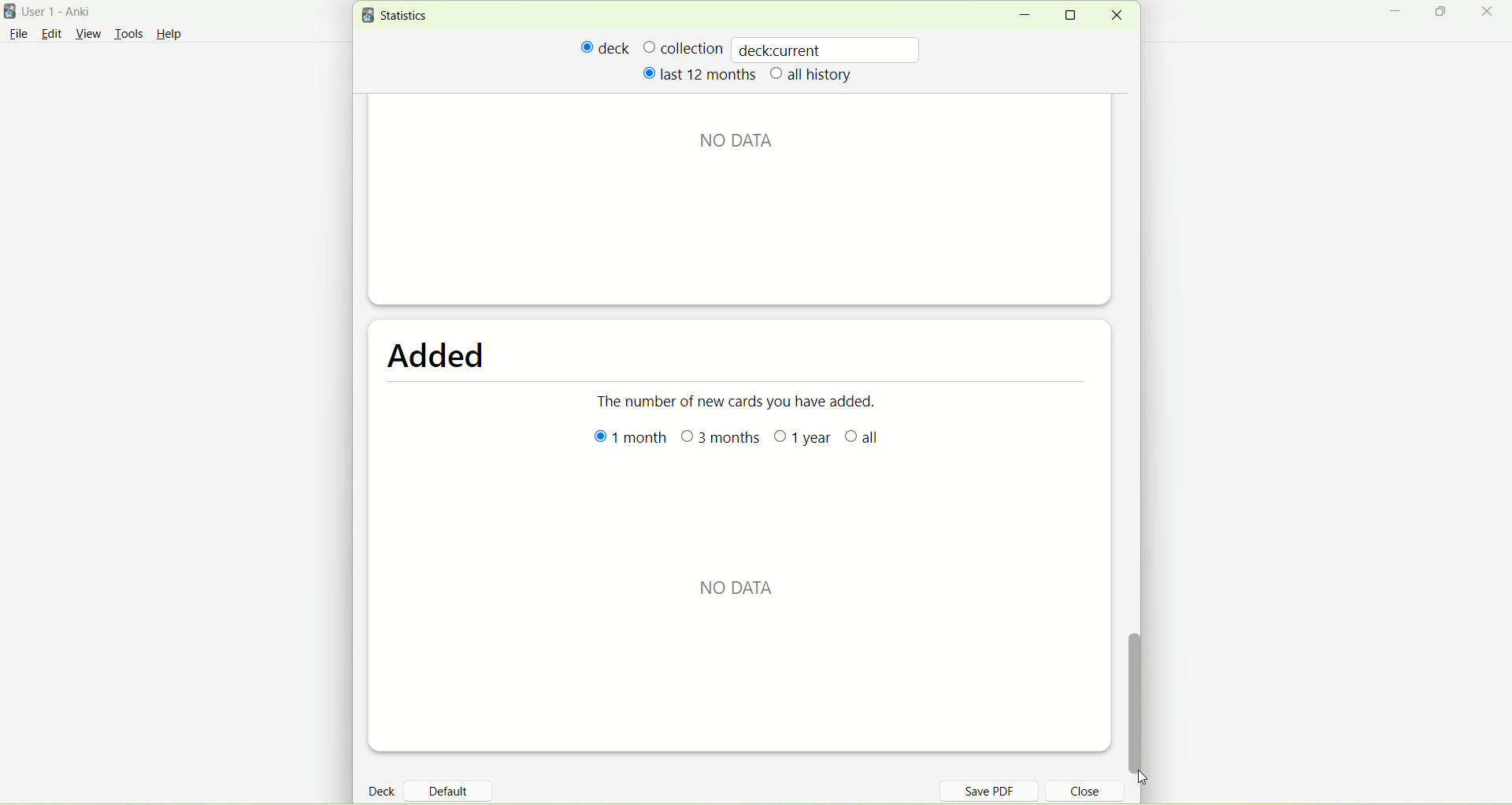 The height and width of the screenshot is (805, 1512). I want to click on close, so click(1076, 793).